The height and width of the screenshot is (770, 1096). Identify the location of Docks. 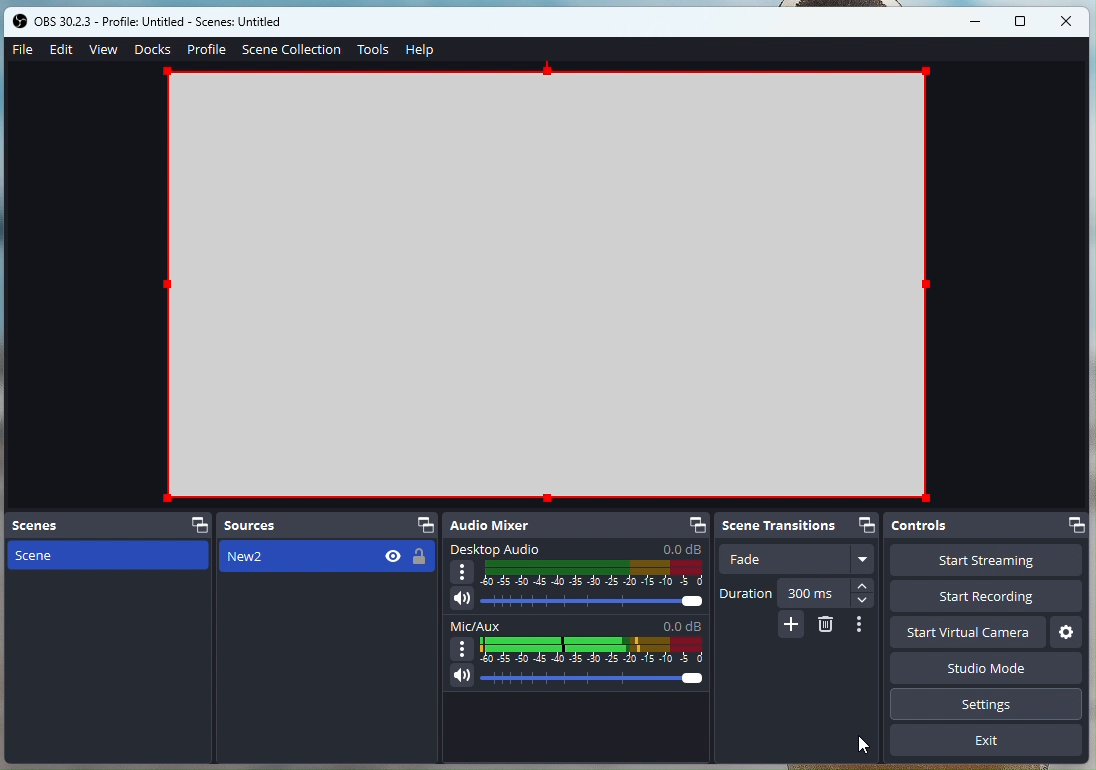
(153, 50).